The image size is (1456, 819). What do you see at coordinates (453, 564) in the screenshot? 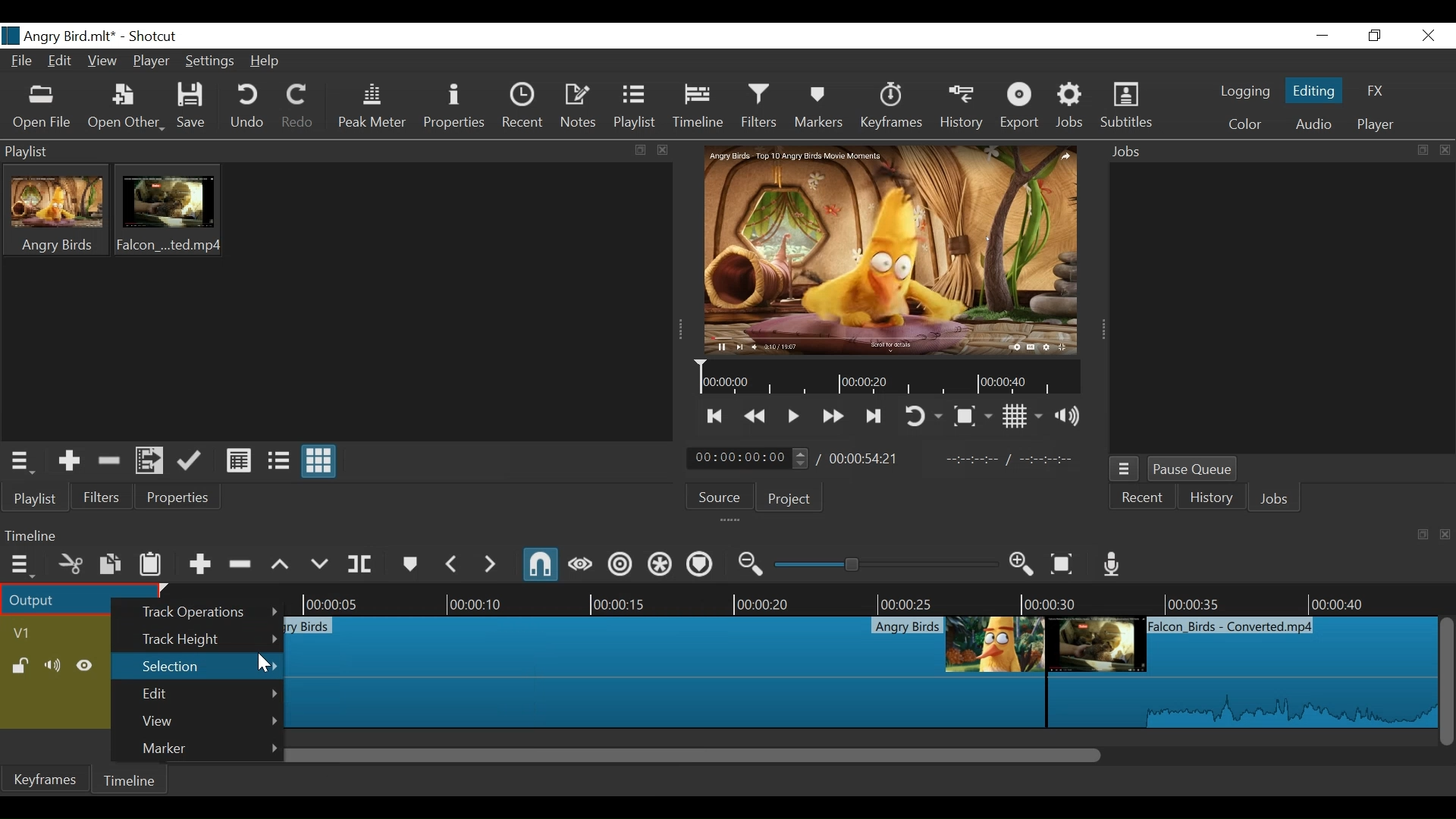
I see `Previous Marker` at bounding box center [453, 564].